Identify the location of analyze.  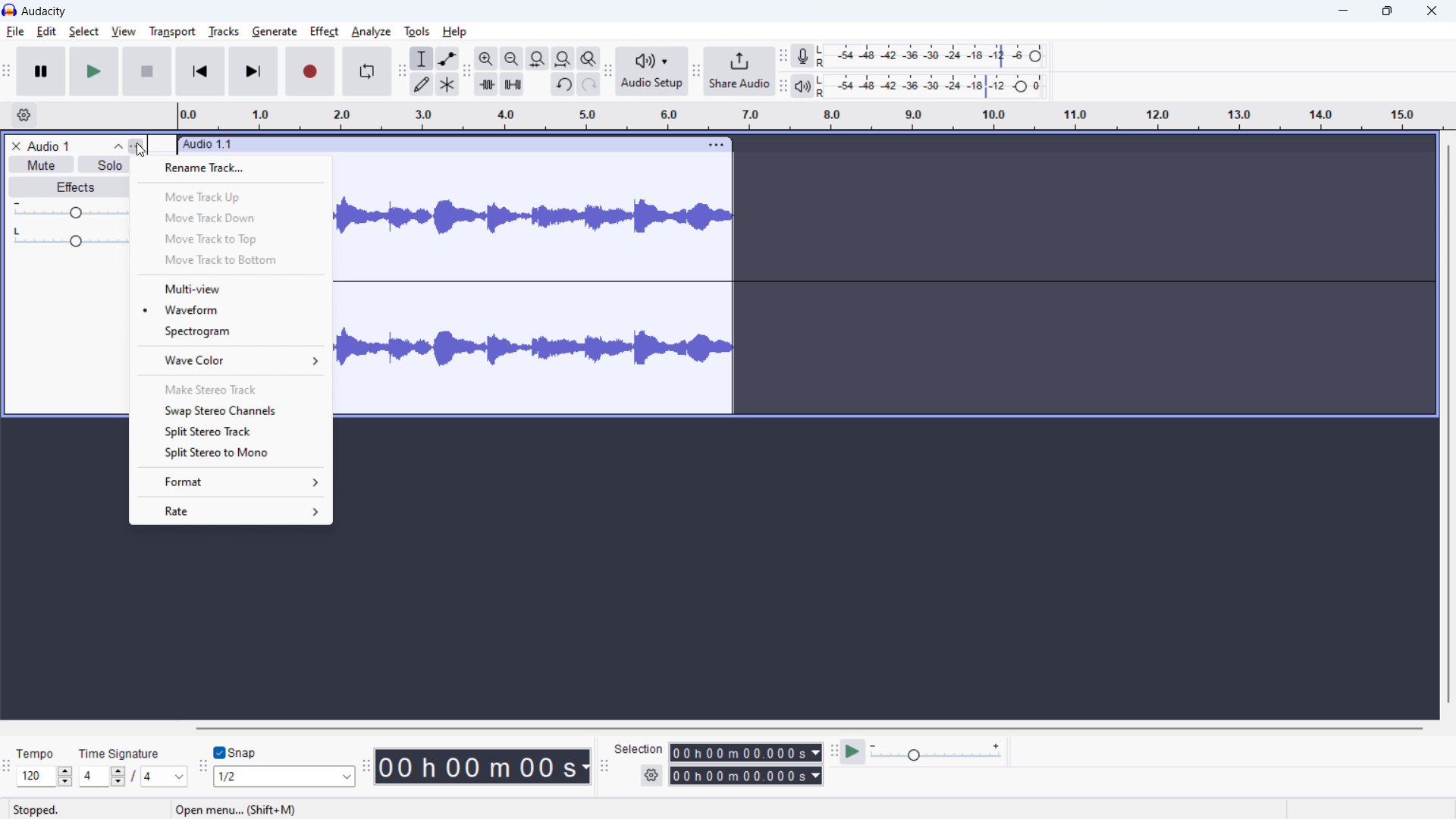
(370, 32).